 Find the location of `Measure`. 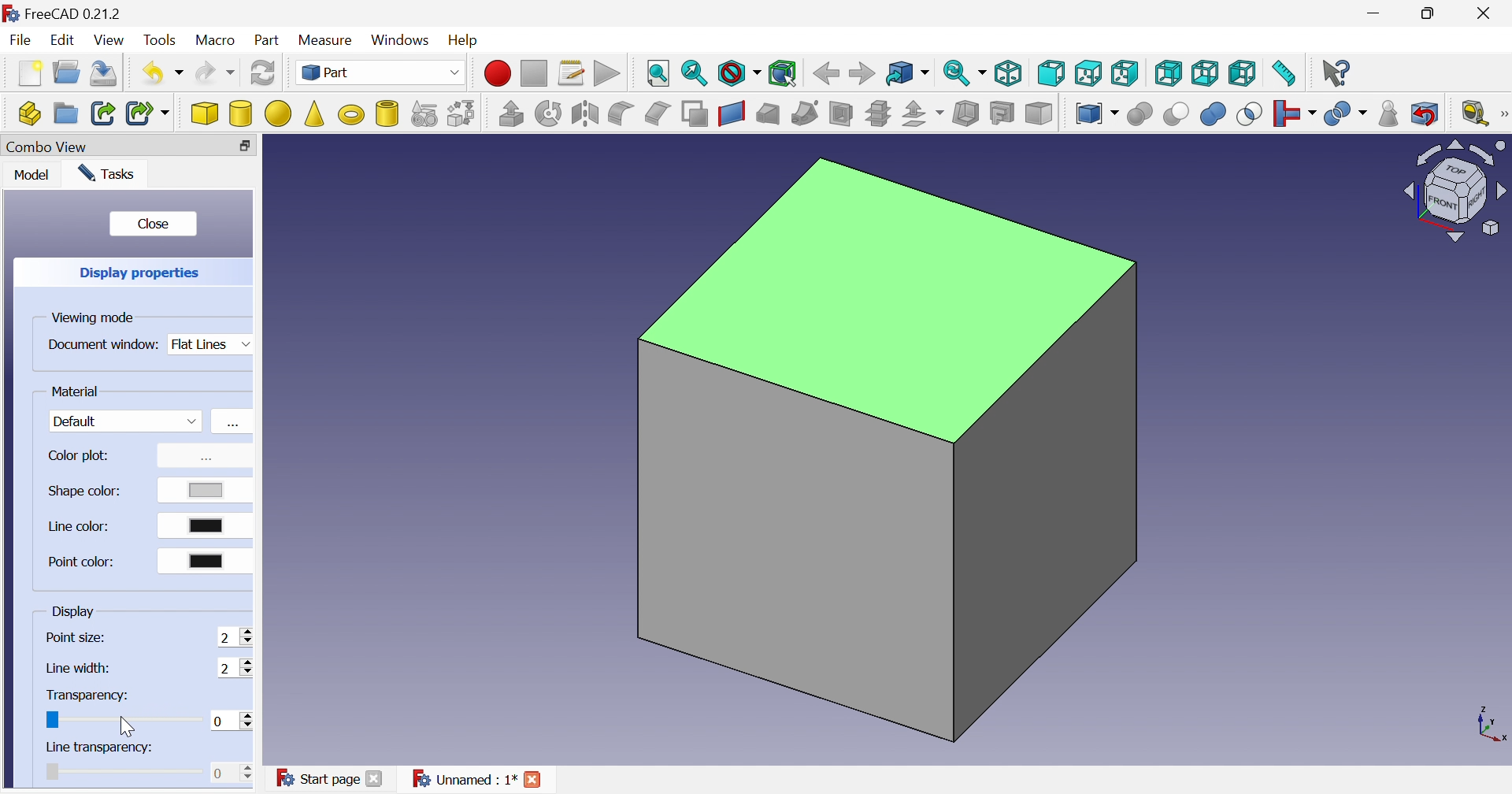

Measure is located at coordinates (329, 42).